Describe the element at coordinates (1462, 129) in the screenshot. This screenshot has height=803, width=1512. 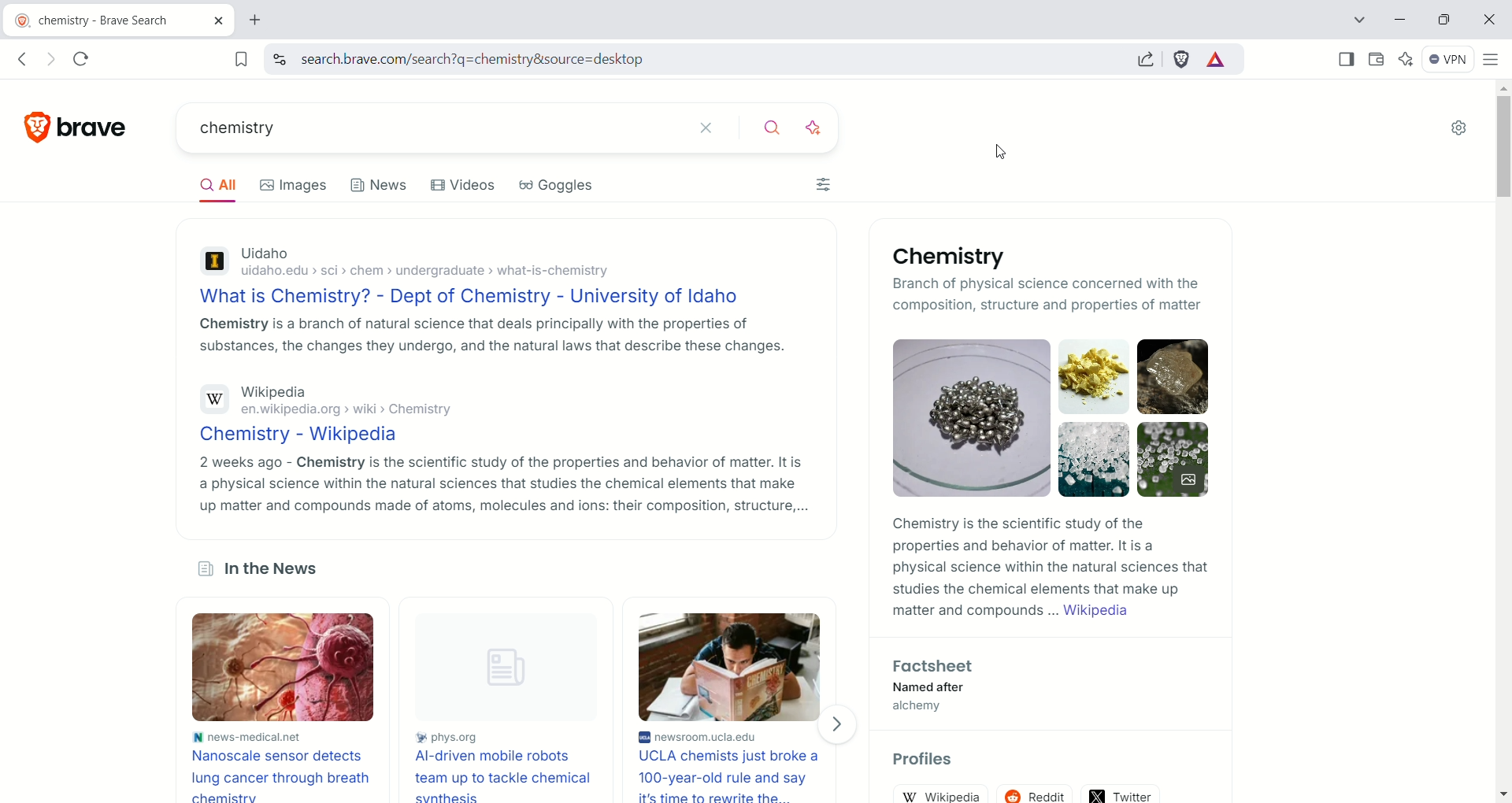
I see `settings` at that location.